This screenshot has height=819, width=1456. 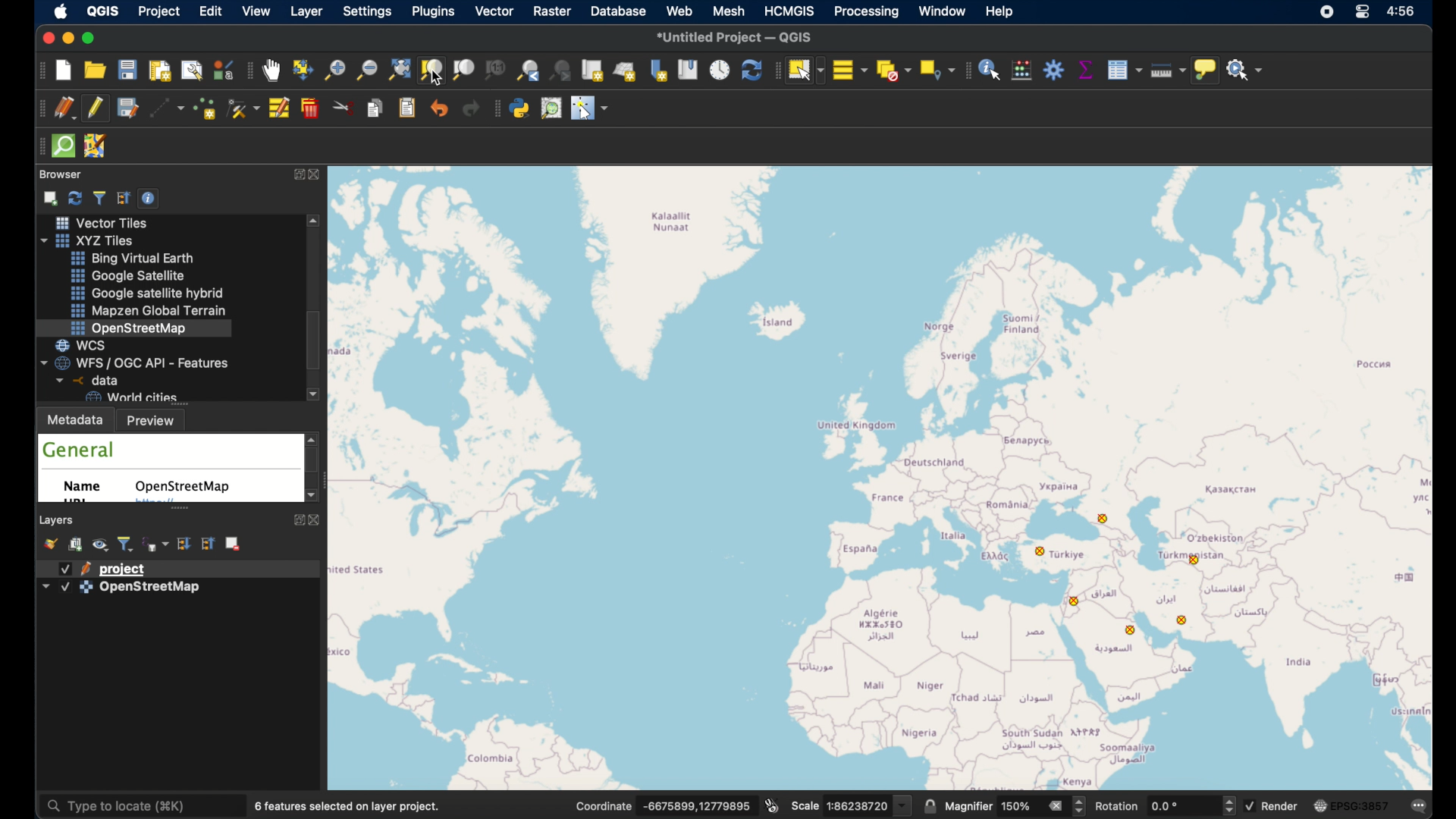 I want to click on attributes toolbar, so click(x=966, y=71).